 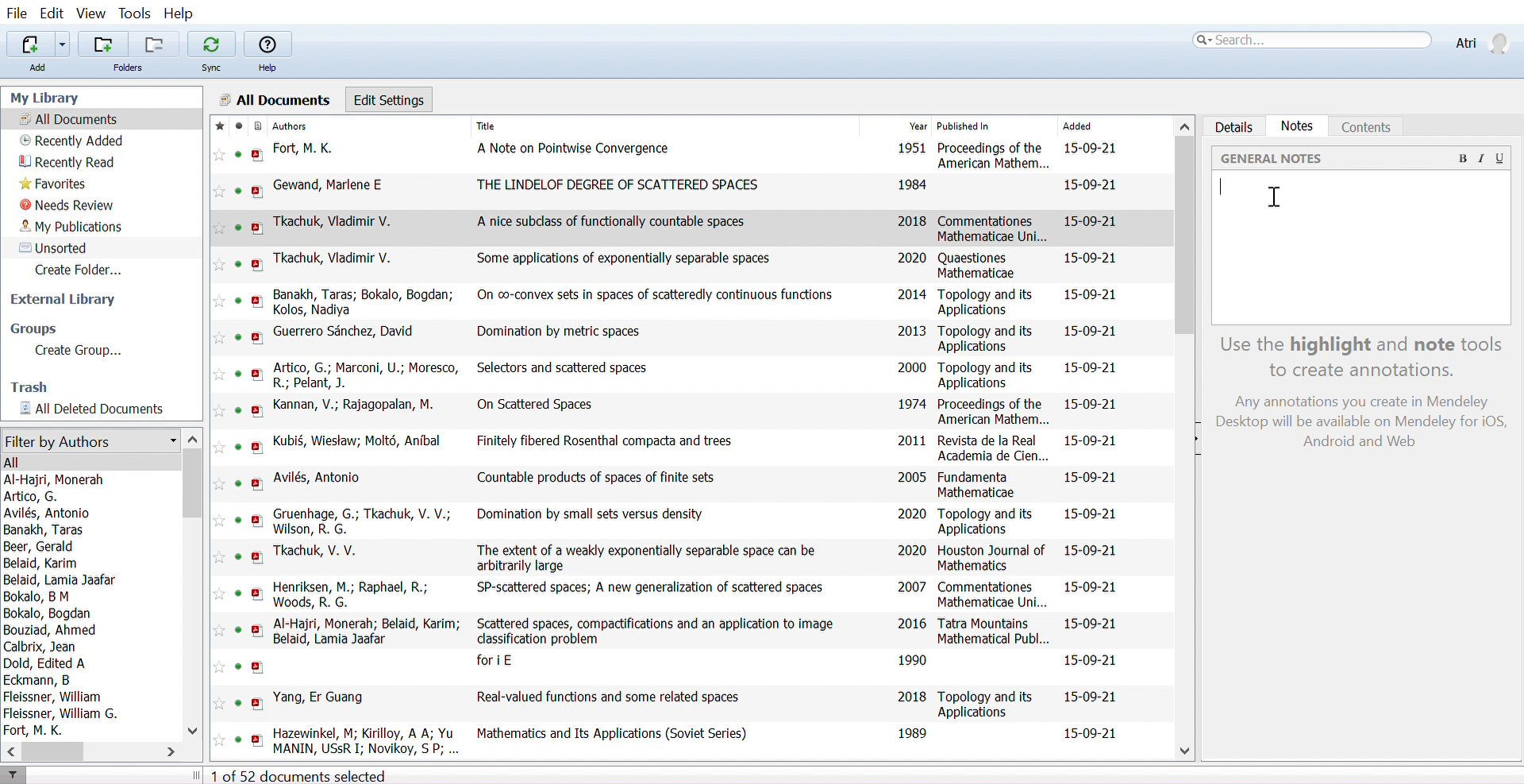 What do you see at coordinates (41, 647) in the screenshot?
I see `Calbrix, Jean` at bounding box center [41, 647].